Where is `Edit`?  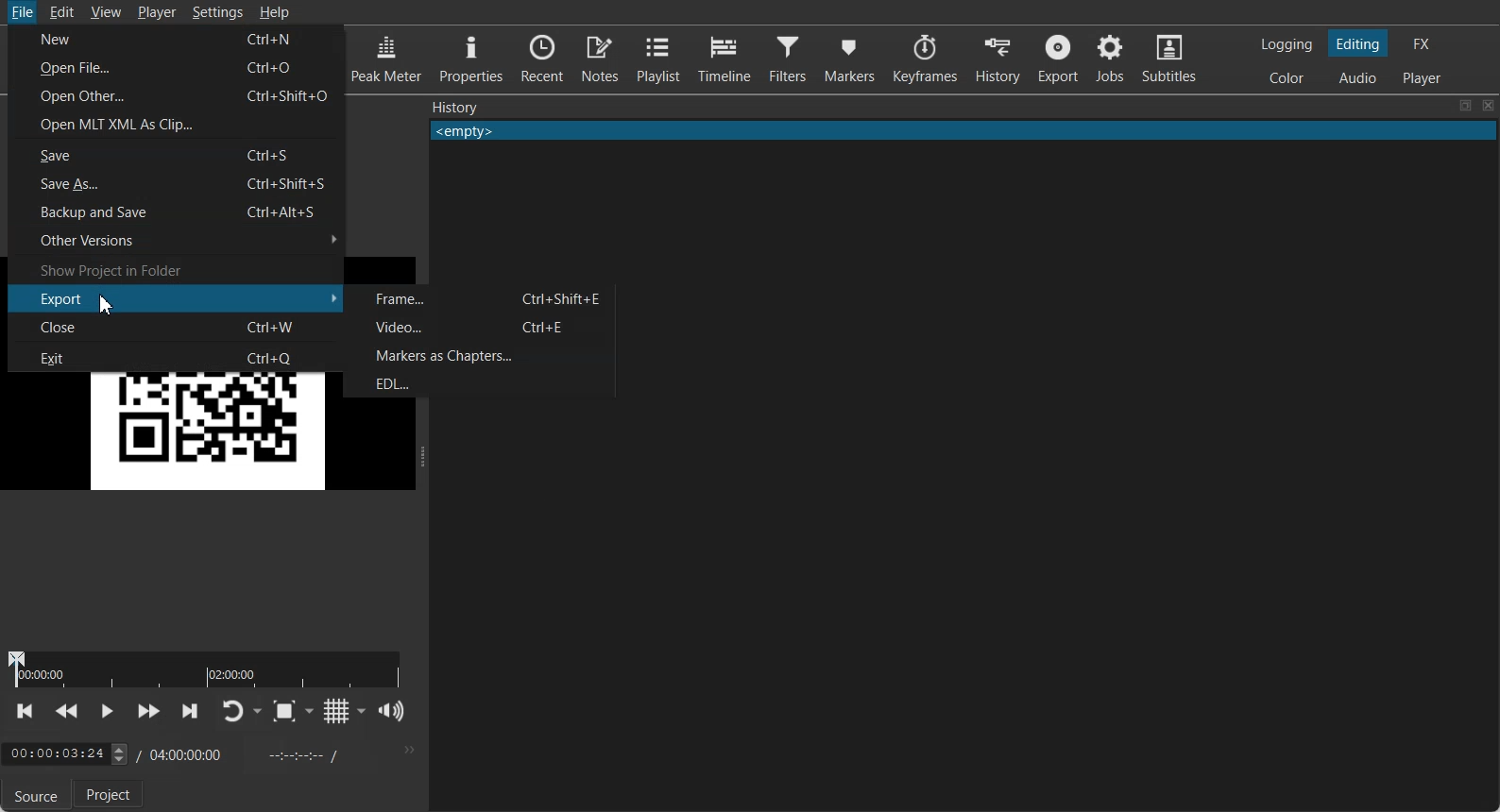 Edit is located at coordinates (61, 11).